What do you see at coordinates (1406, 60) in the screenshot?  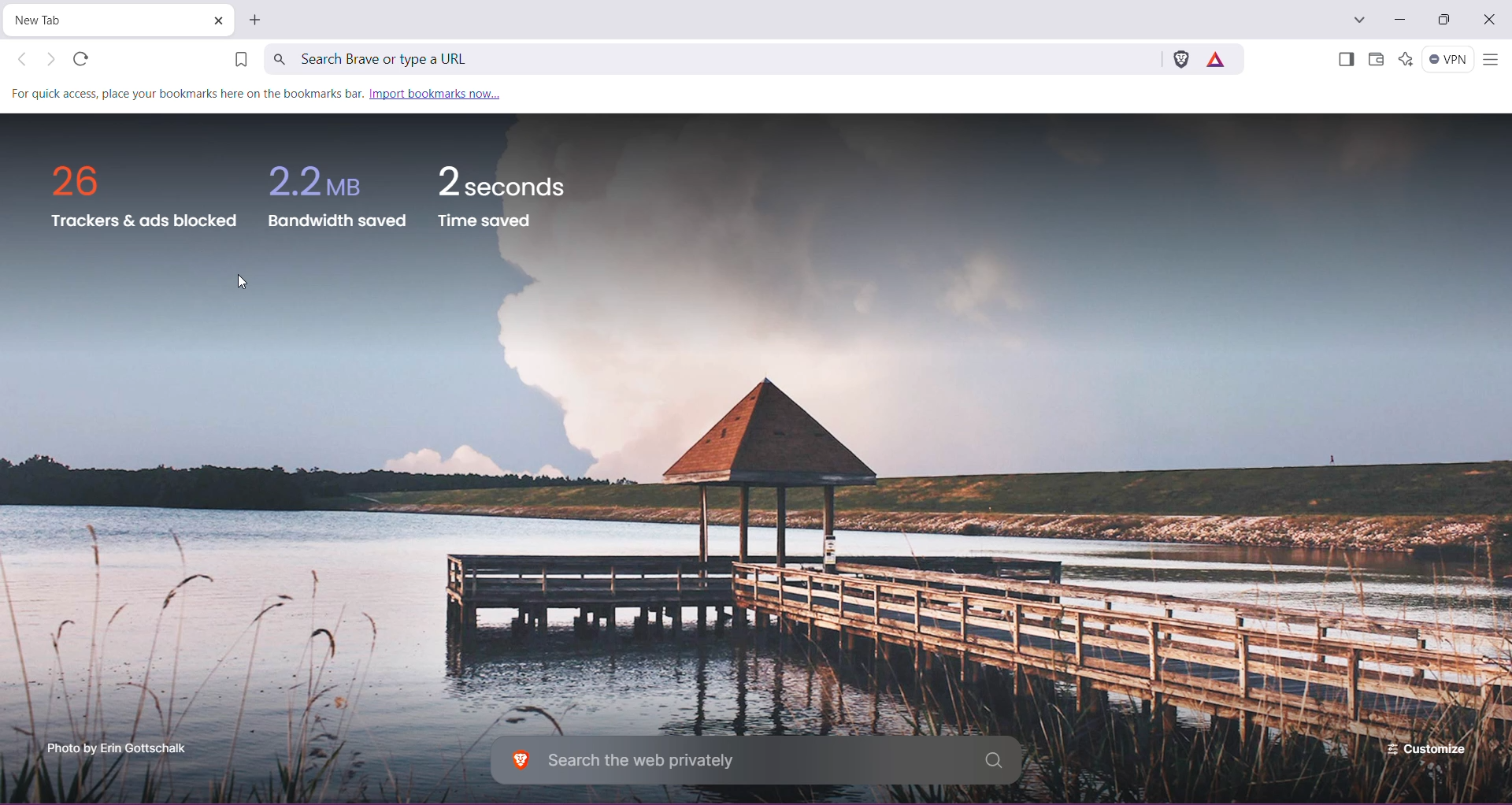 I see `Leo AI` at bounding box center [1406, 60].